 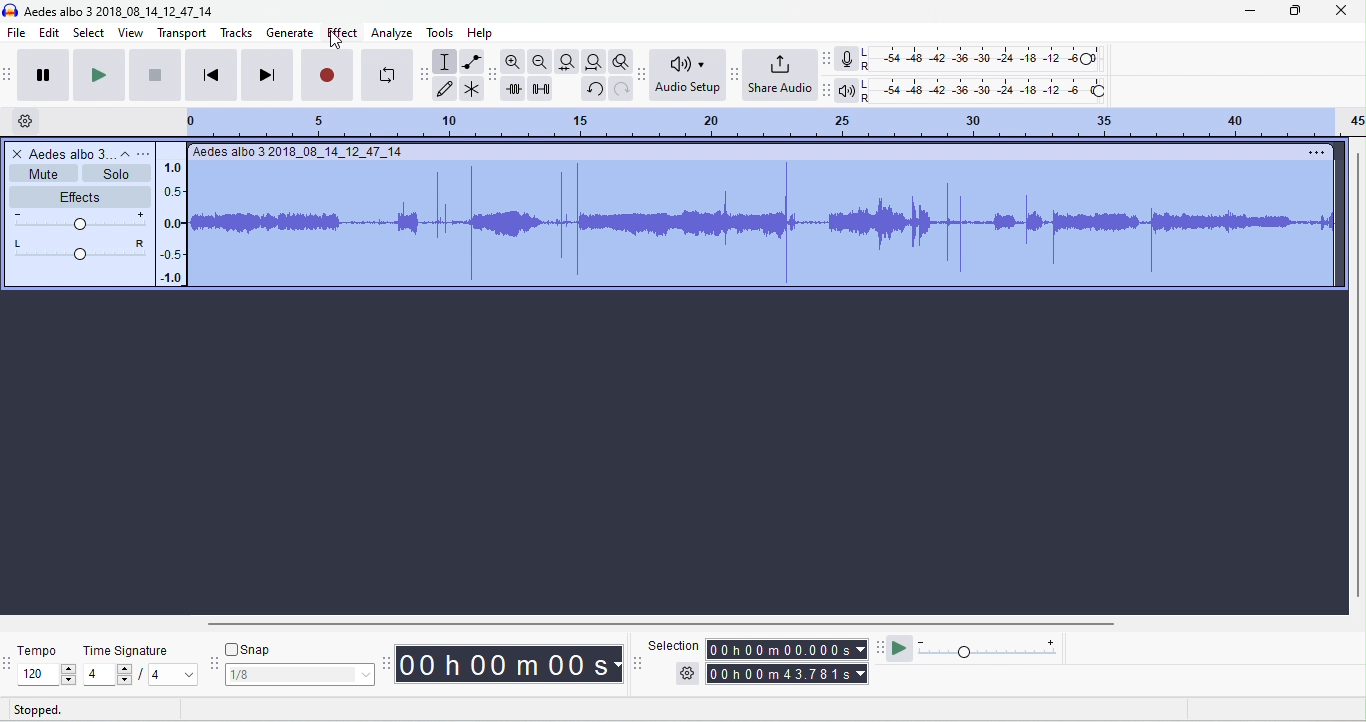 What do you see at coordinates (427, 74) in the screenshot?
I see `audacity tools toolbar` at bounding box center [427, 74].